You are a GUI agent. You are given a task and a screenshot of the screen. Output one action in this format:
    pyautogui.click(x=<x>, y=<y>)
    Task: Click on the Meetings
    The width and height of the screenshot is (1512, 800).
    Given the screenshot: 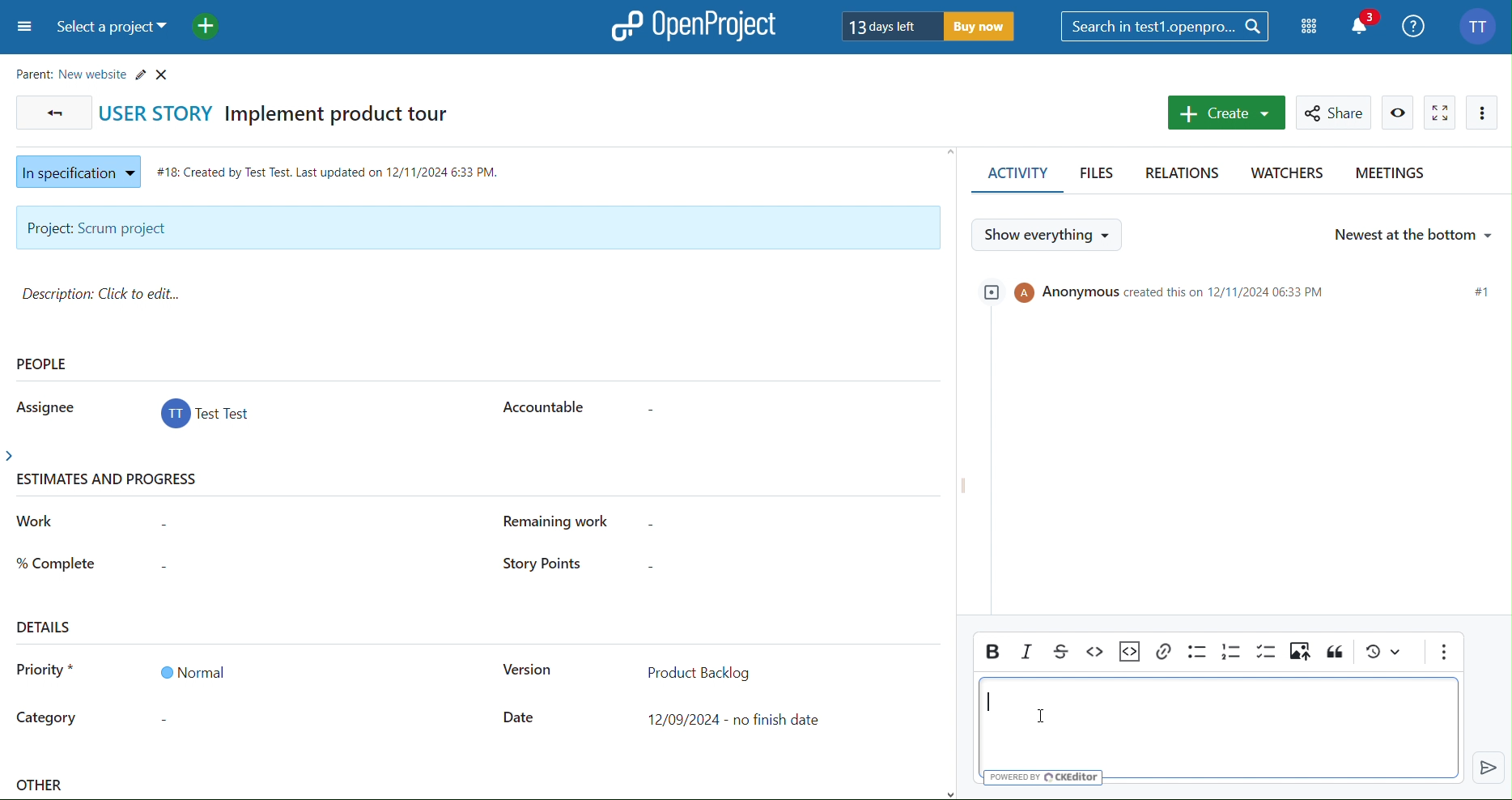 What is the action you would take?
    pyautogui.click(x=1388, y=176)
    